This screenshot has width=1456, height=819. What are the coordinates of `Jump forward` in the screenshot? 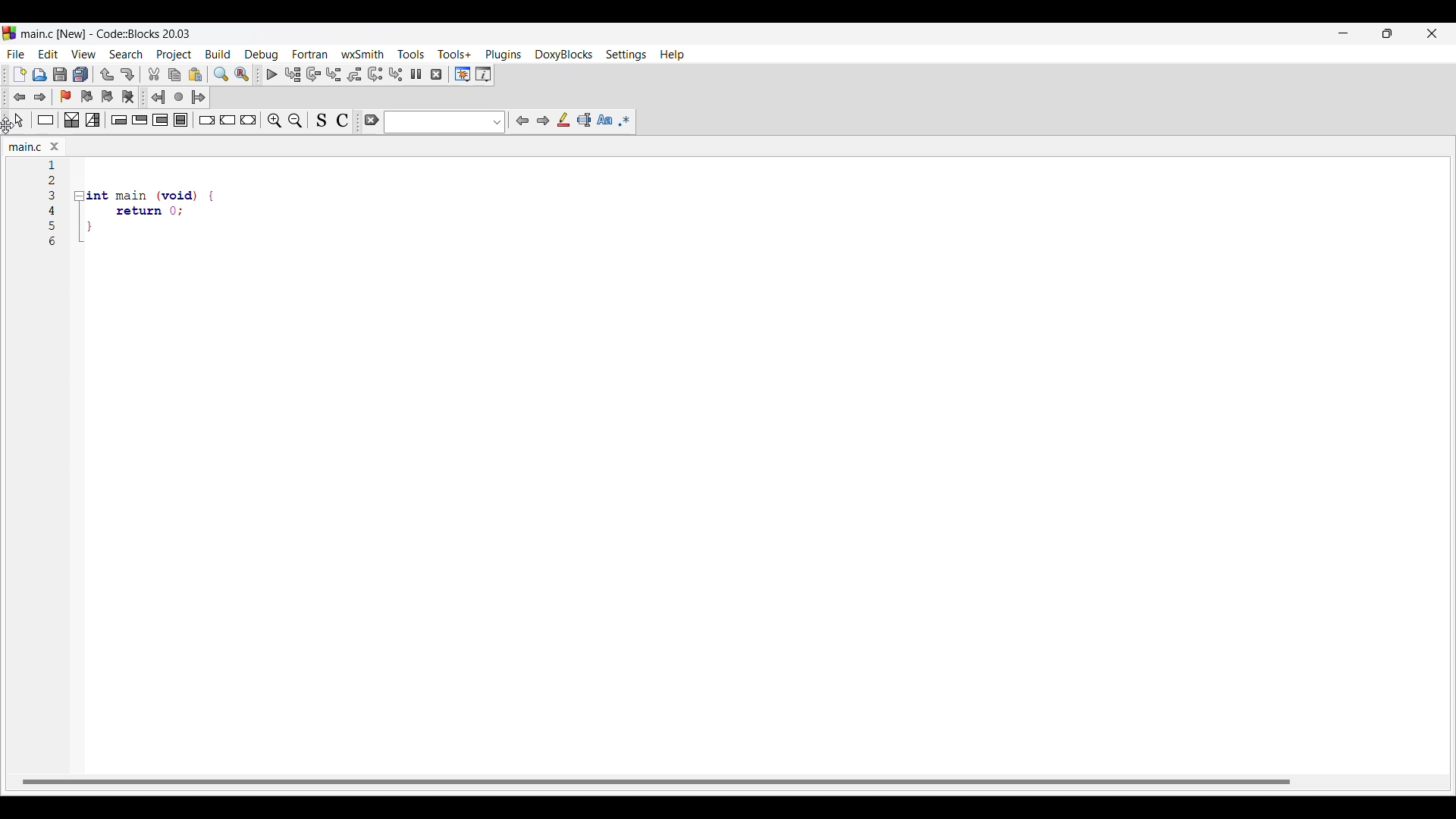 It's located at (199, 97).